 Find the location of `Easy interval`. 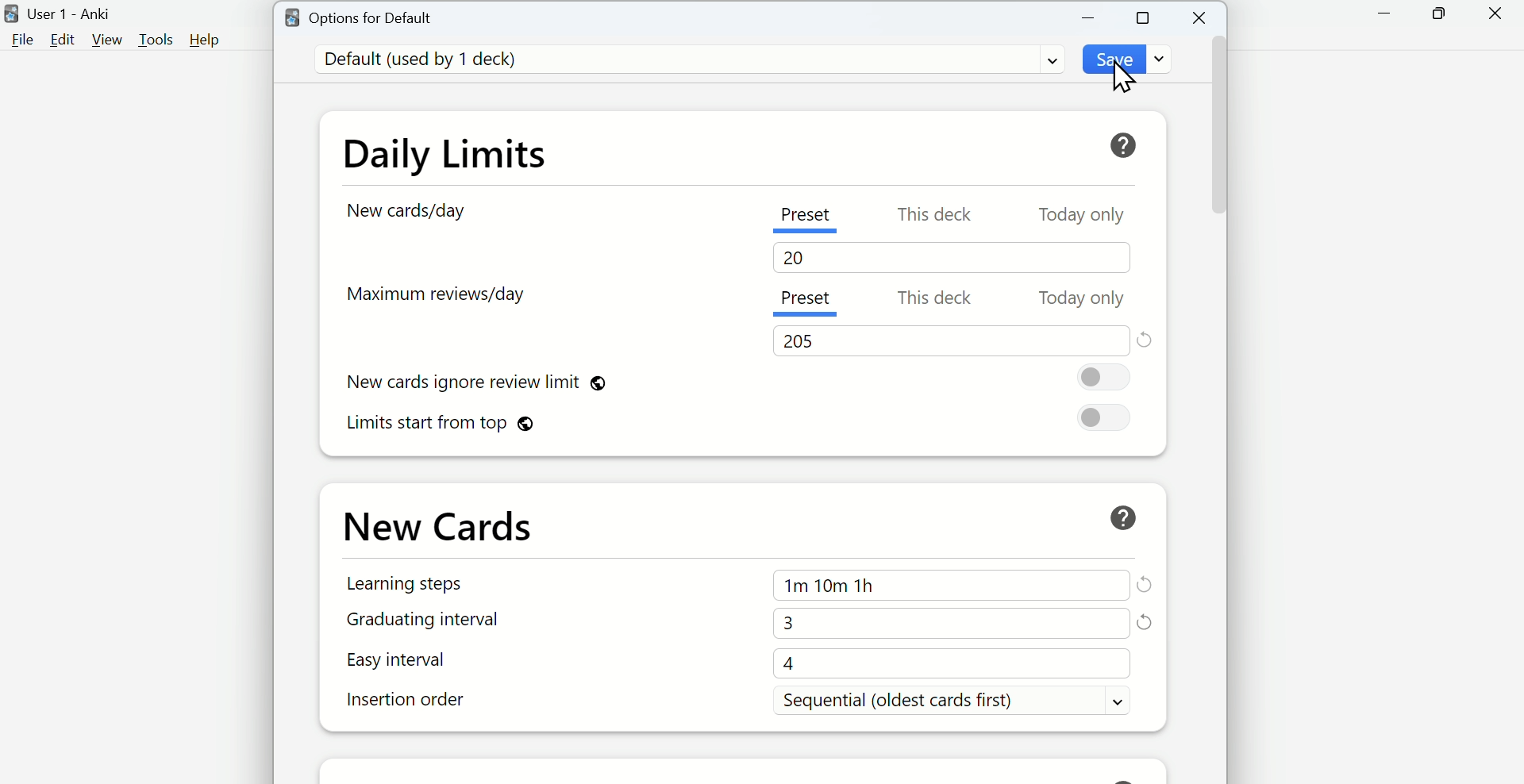

Easy interval is located at coordinates (415, 663).